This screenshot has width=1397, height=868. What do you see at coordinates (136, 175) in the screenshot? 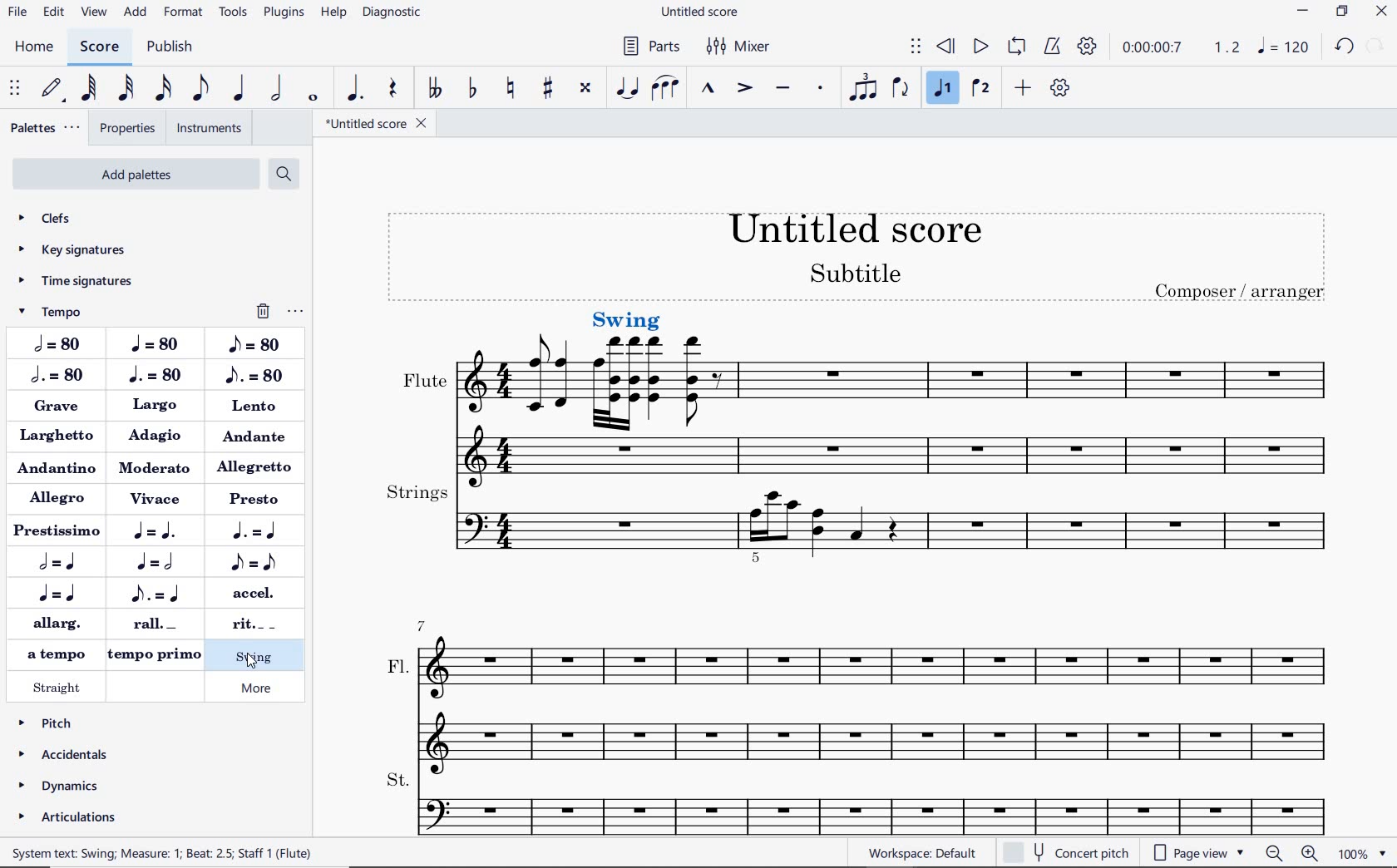
I see `add palettes` at bounding box center [136, 175].